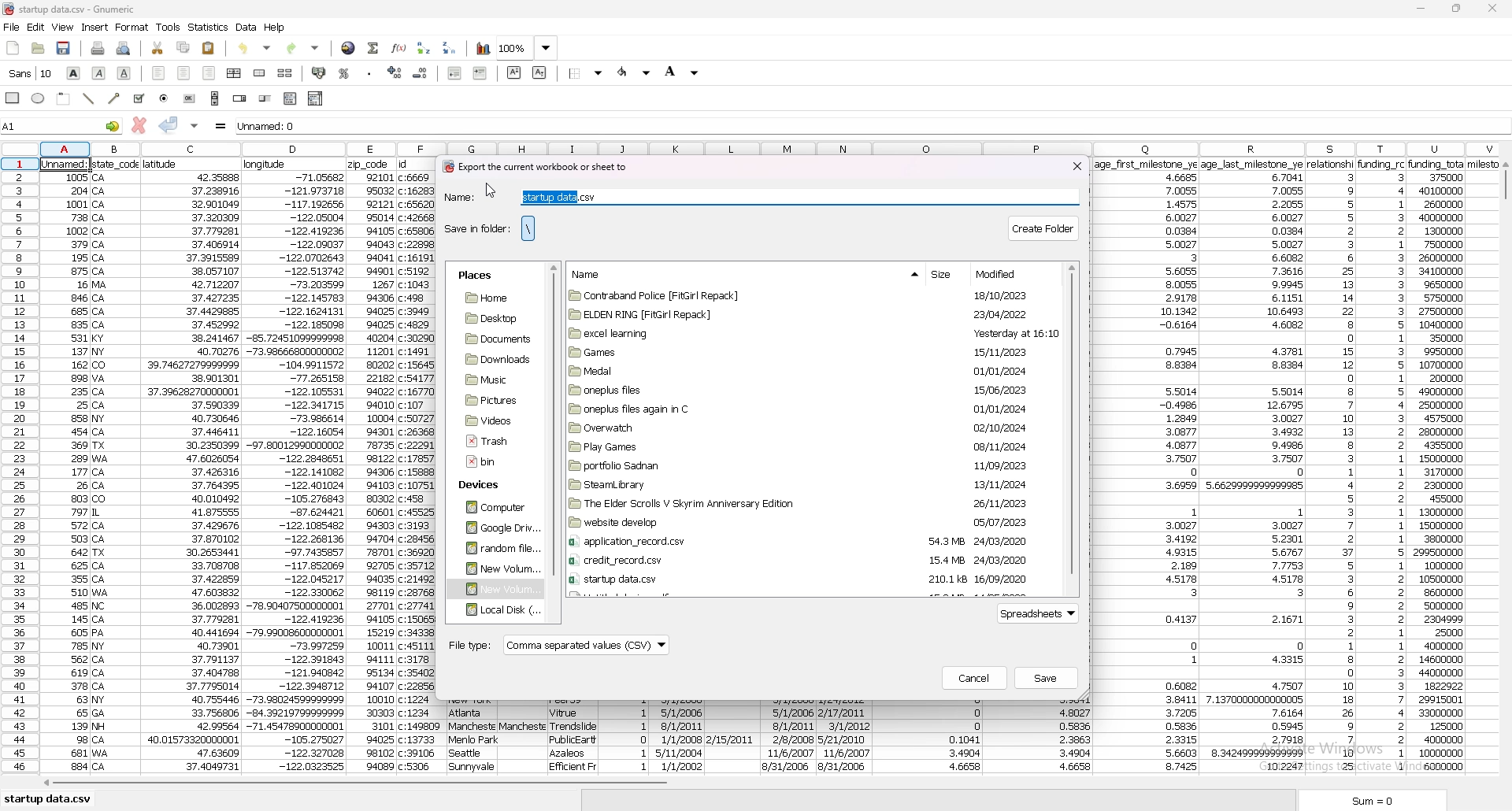 The height and width of the screenshot is (811, 1512). Describe the element at coordinates (13, 49) in the screenshot. I see `new` at that location.